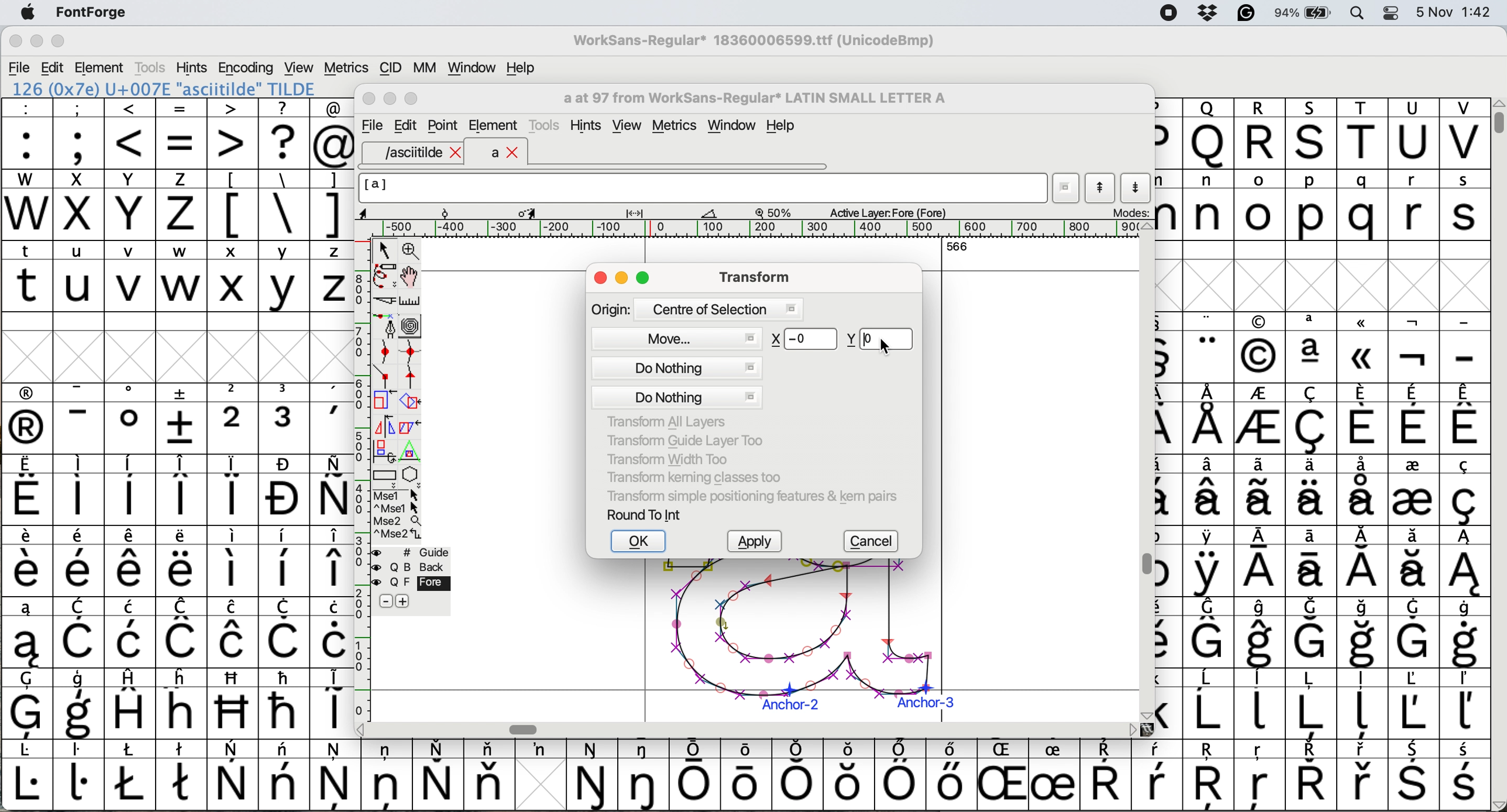  What do you see at coordinates (421, 153) in the screenshot?
I see `asciitilde` at bounding box center [421, 153].